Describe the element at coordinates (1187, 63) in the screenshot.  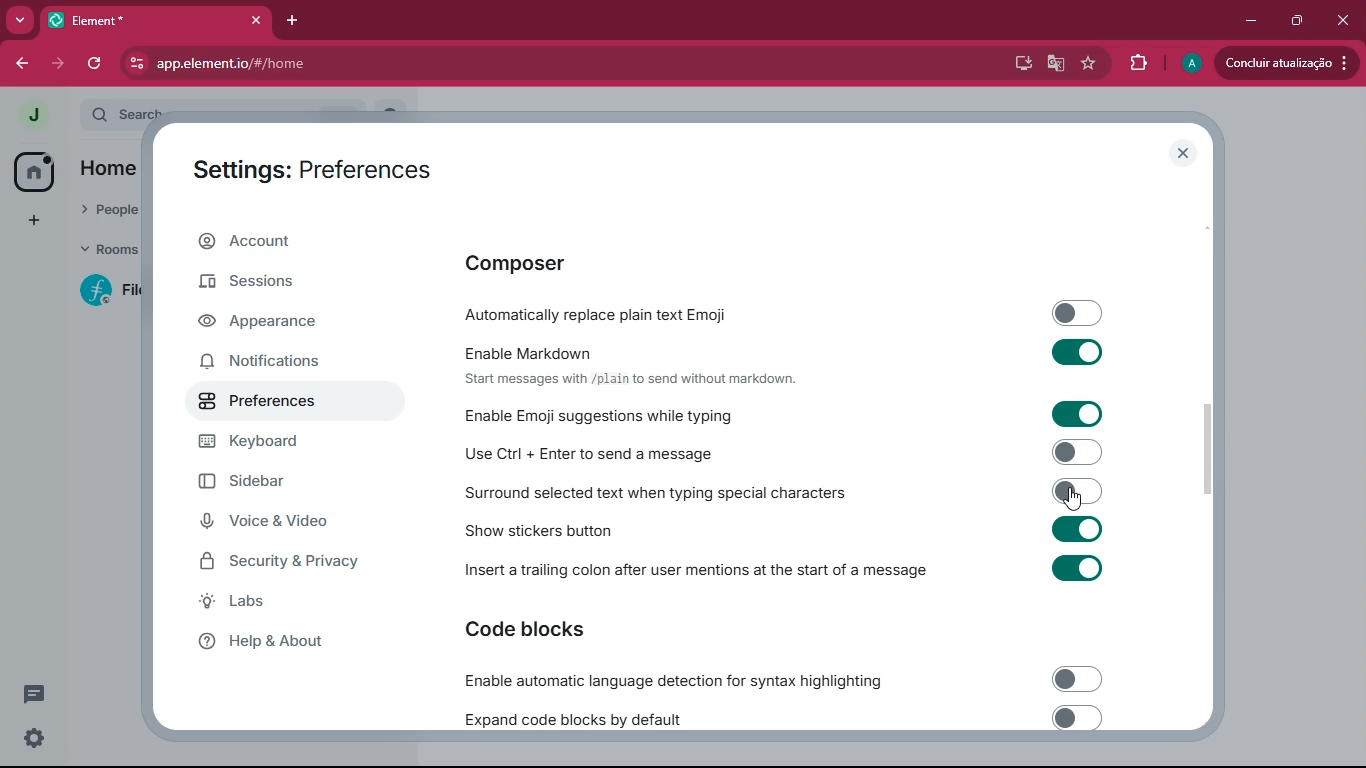
I see `profile` at that location.